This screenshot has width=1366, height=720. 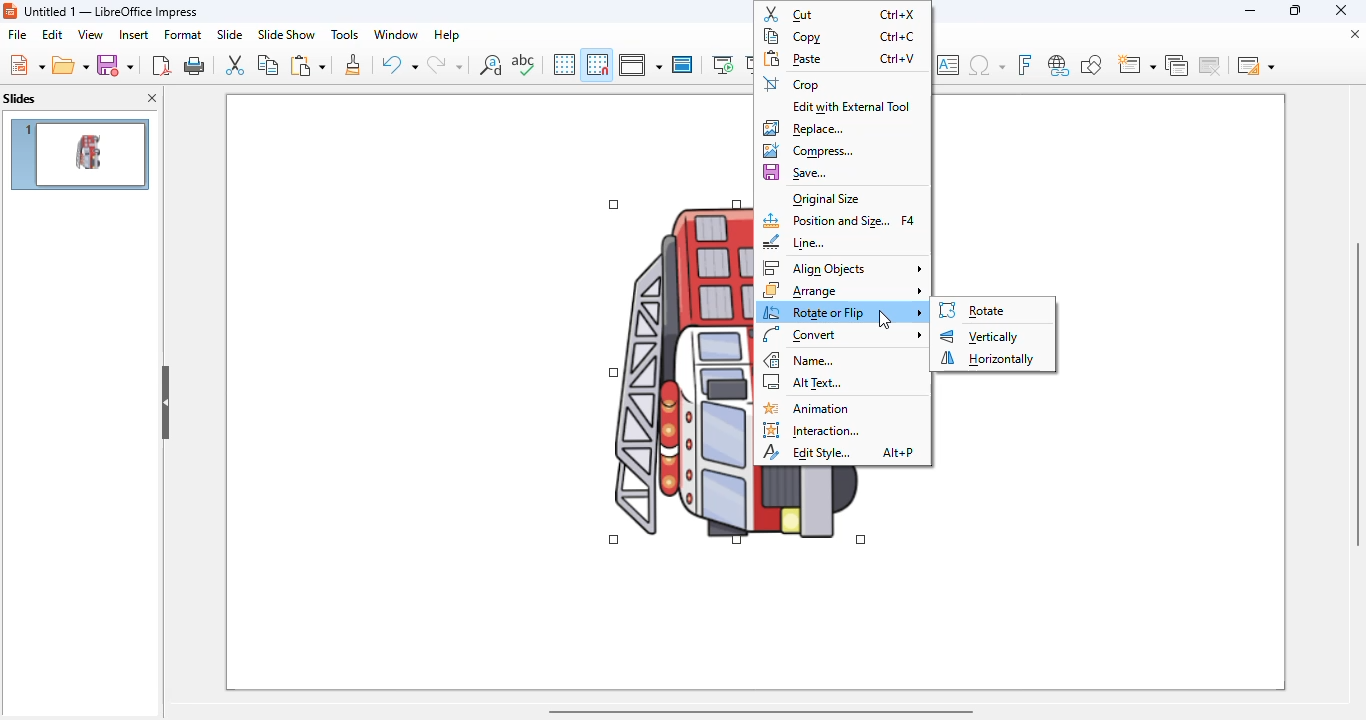 I want to click on slides, so click(x=20, y=99).